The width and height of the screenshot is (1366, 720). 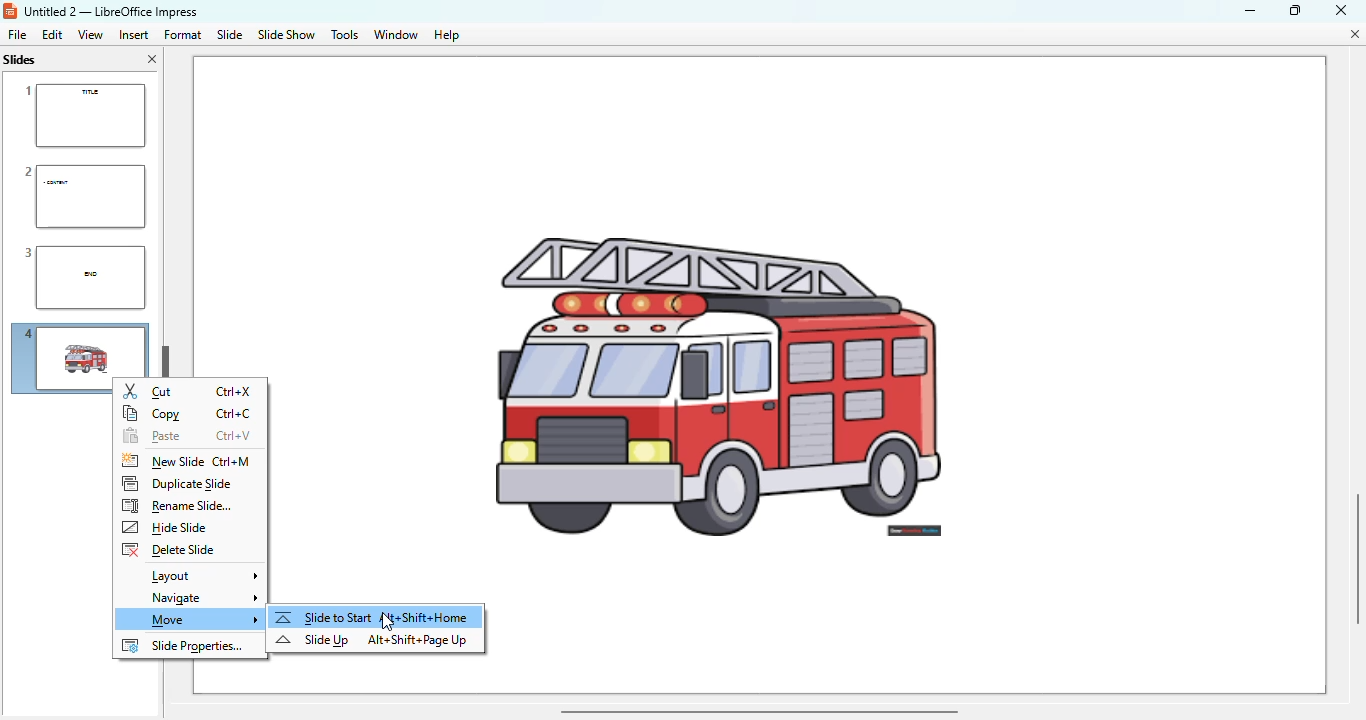 What do you see at coordinates (153, 414) in the screenshot?
I see `copy` at bounding box center [153, 414].